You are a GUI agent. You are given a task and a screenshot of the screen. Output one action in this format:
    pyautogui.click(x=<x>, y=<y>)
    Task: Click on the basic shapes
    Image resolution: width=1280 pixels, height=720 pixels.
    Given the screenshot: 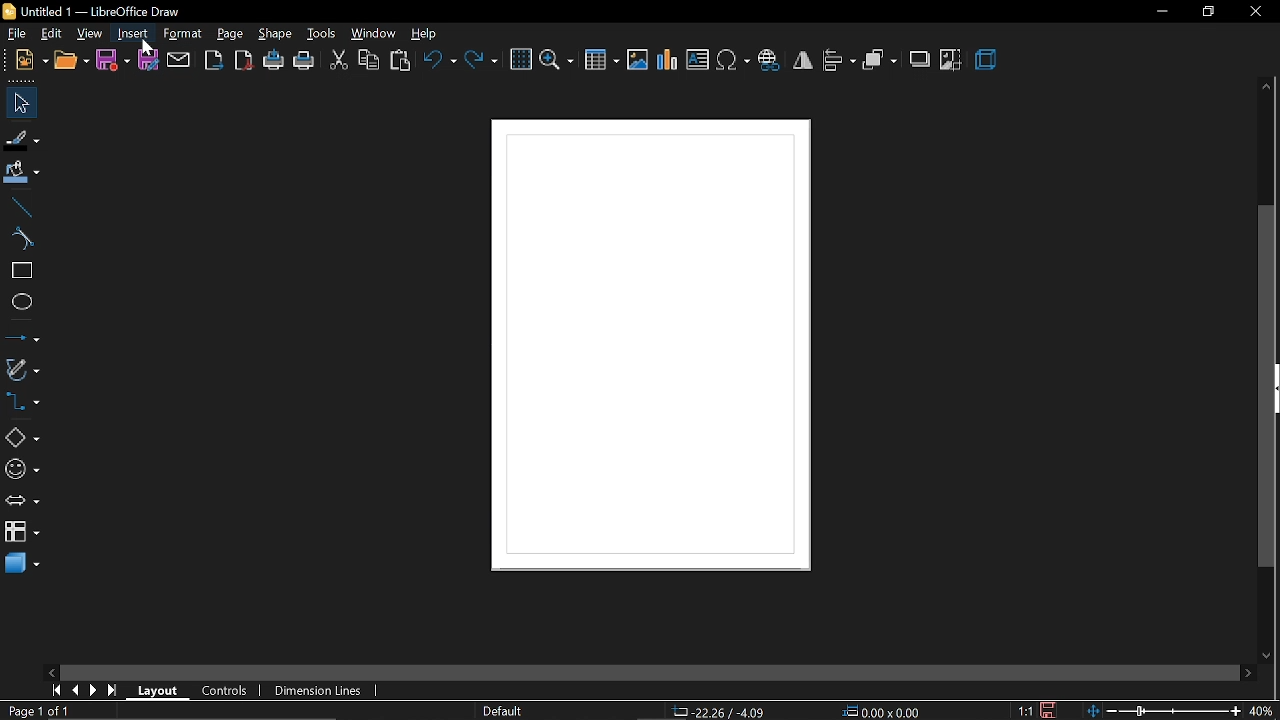 What is the action you would take?
    pyautogui.click(x=20, y=437)
    